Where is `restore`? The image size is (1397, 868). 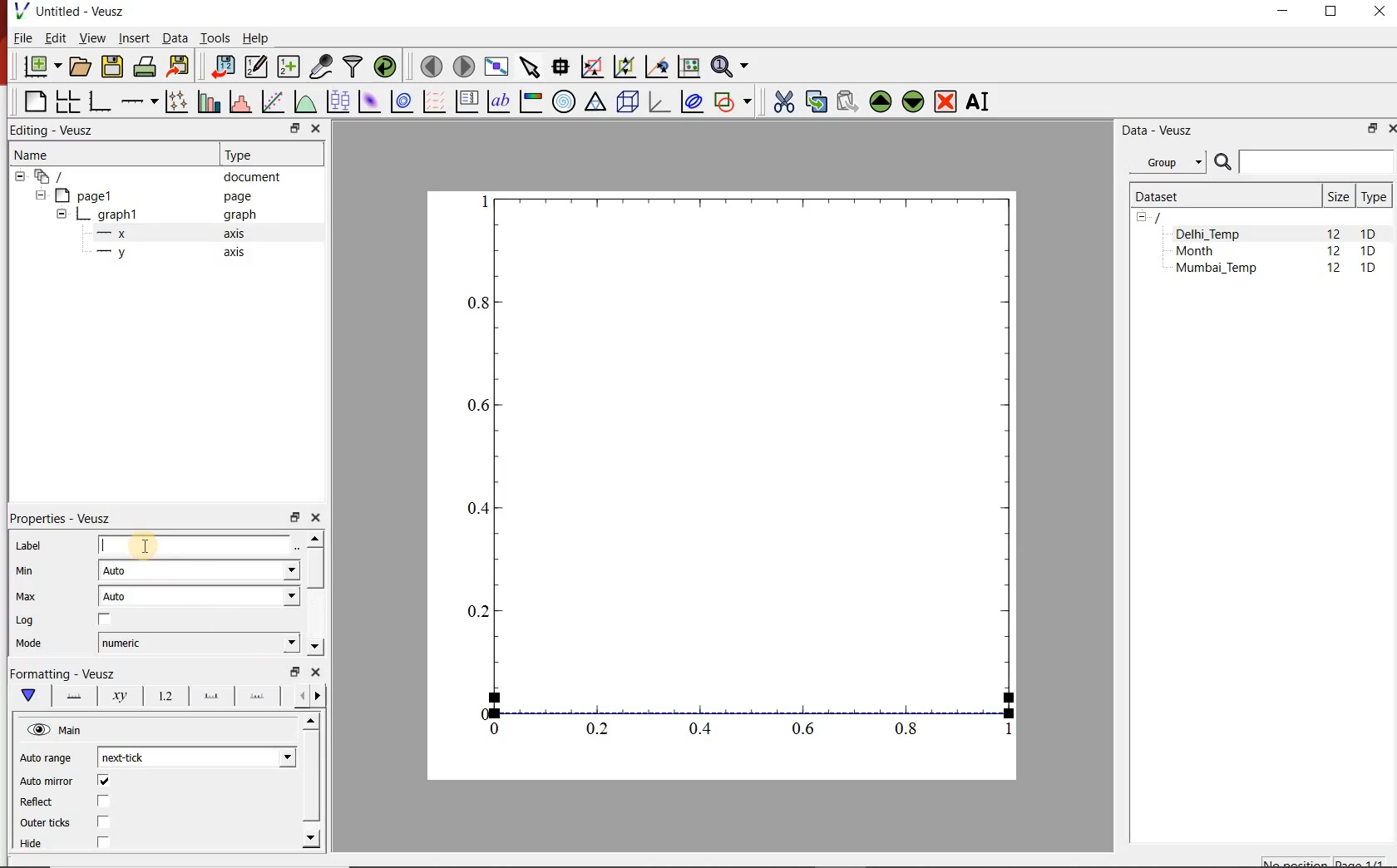 restore is located at coordinates (294, 516).